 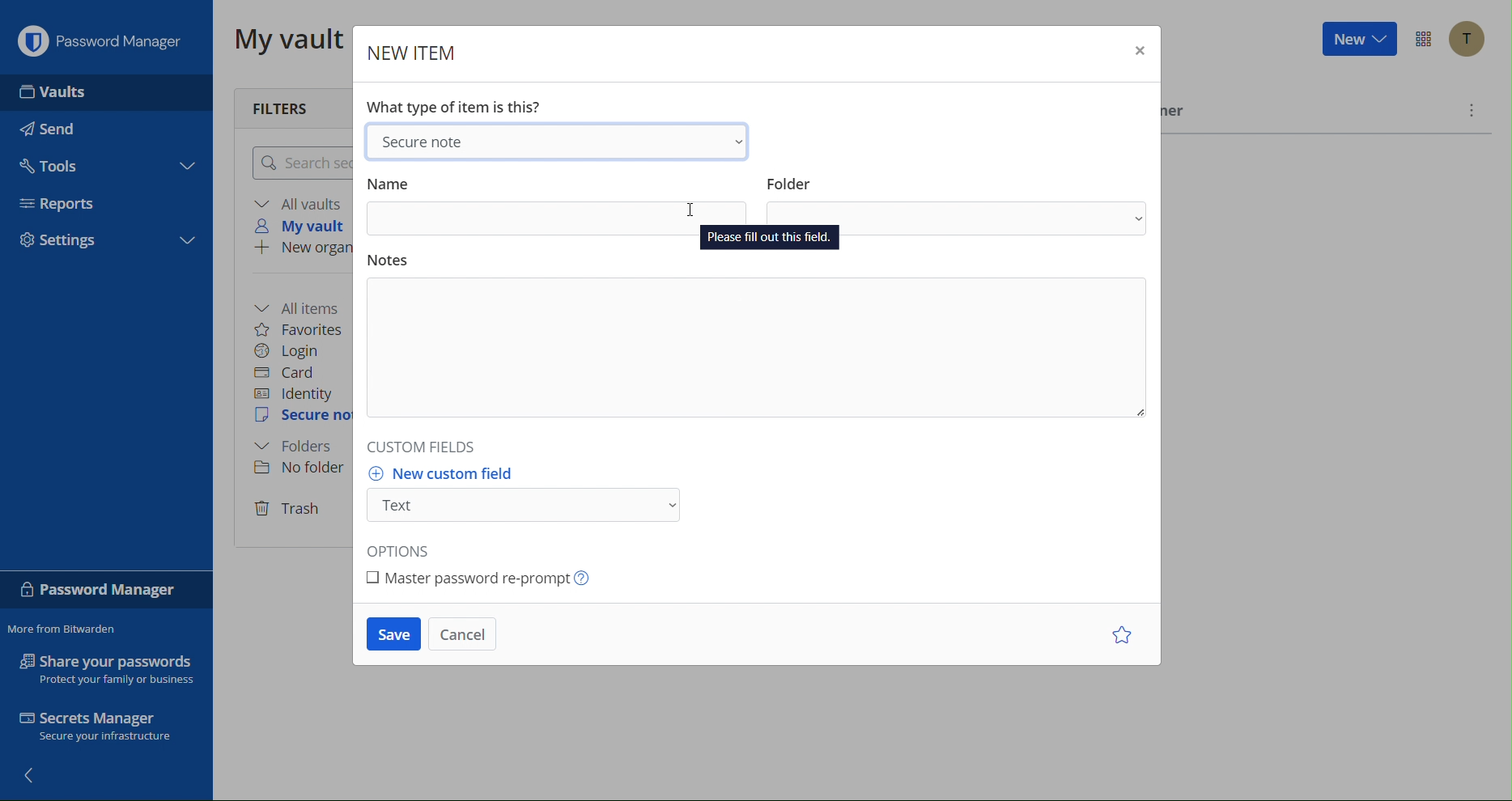 I want to click on Secure Note, so click(x=560, y=141).